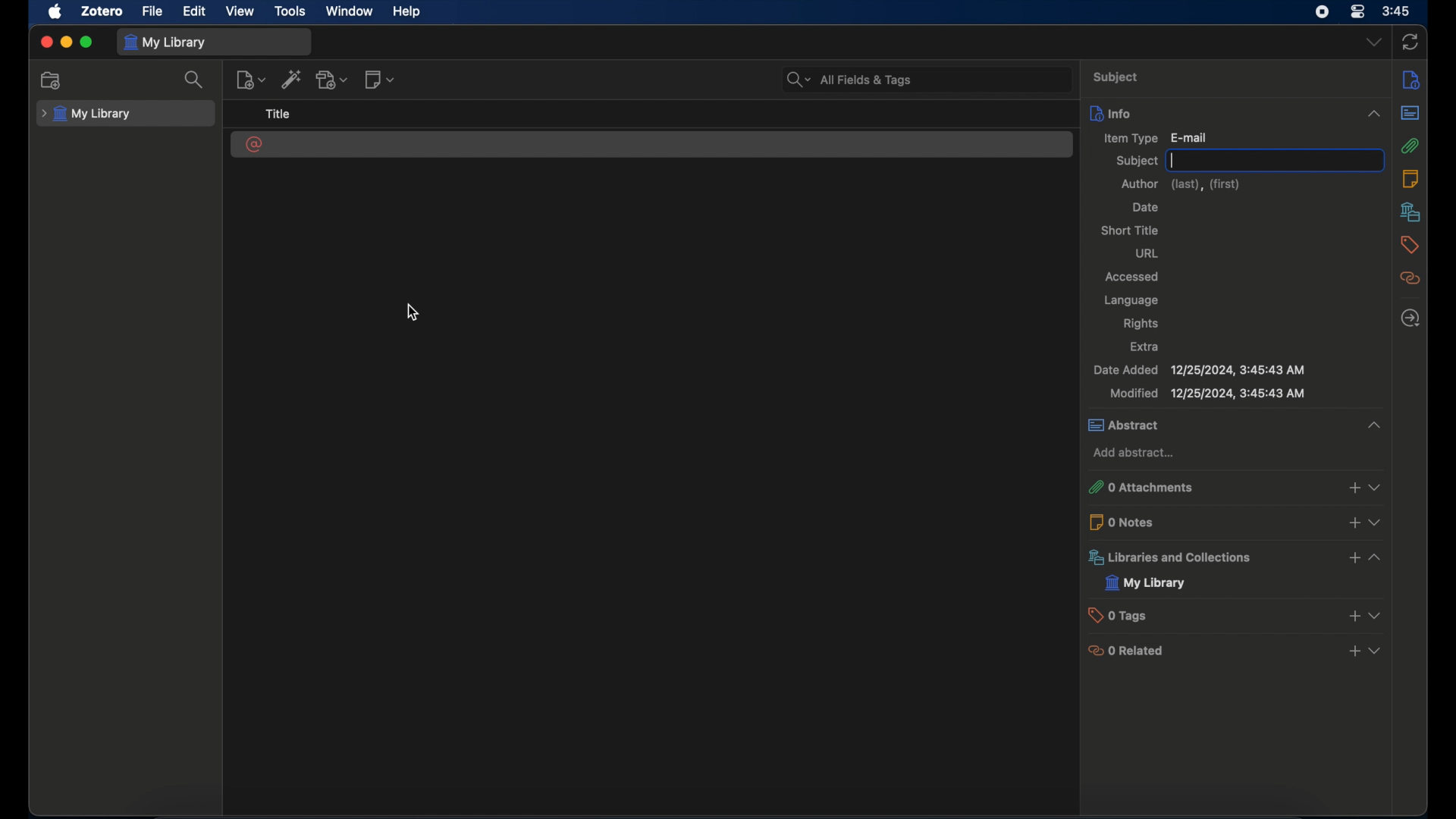 This screenshot has width=1456, height=819. I want to click on sync, so click(1410, 41).